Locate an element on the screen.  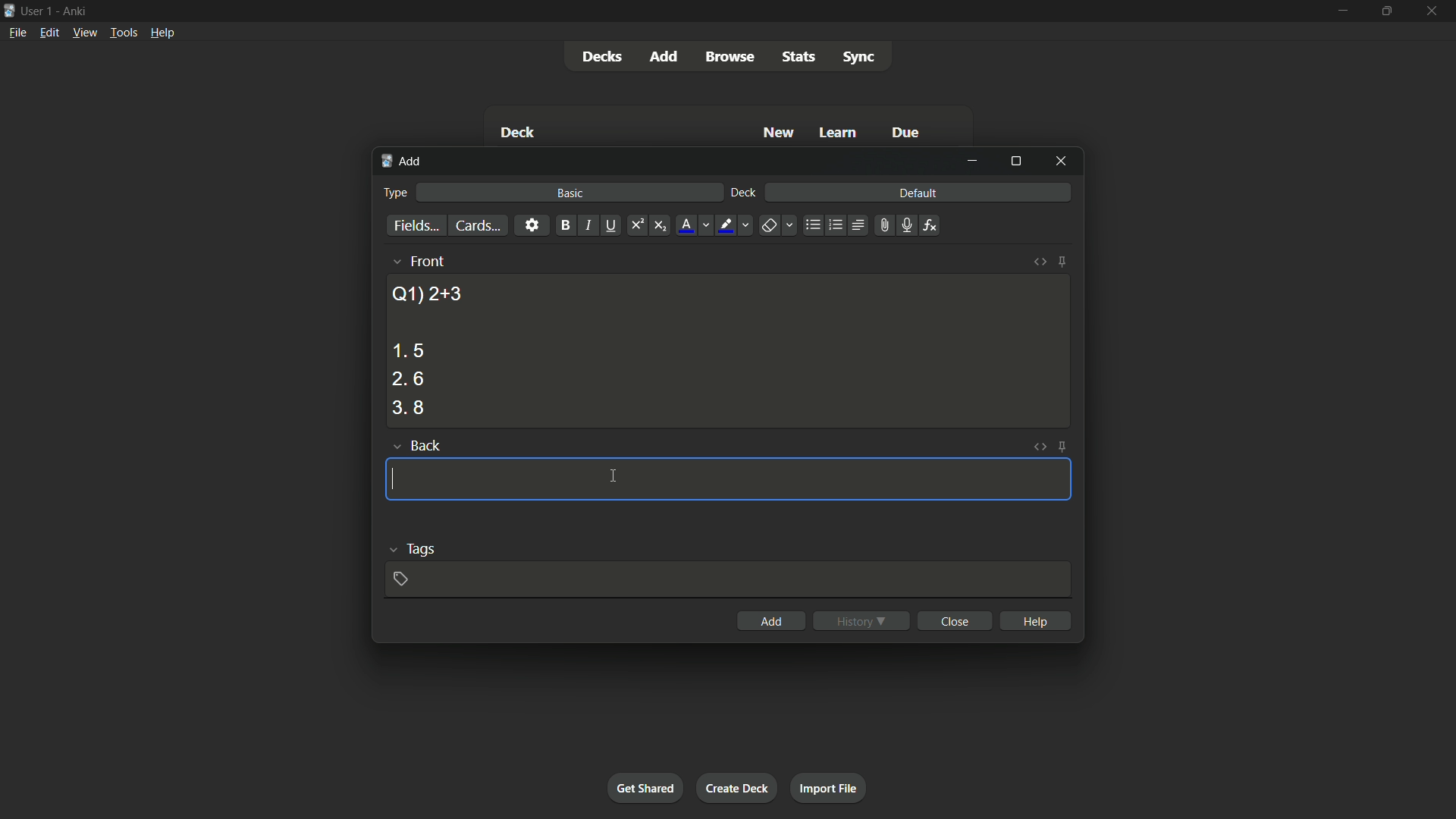
default is located at coordinates (918, 192).